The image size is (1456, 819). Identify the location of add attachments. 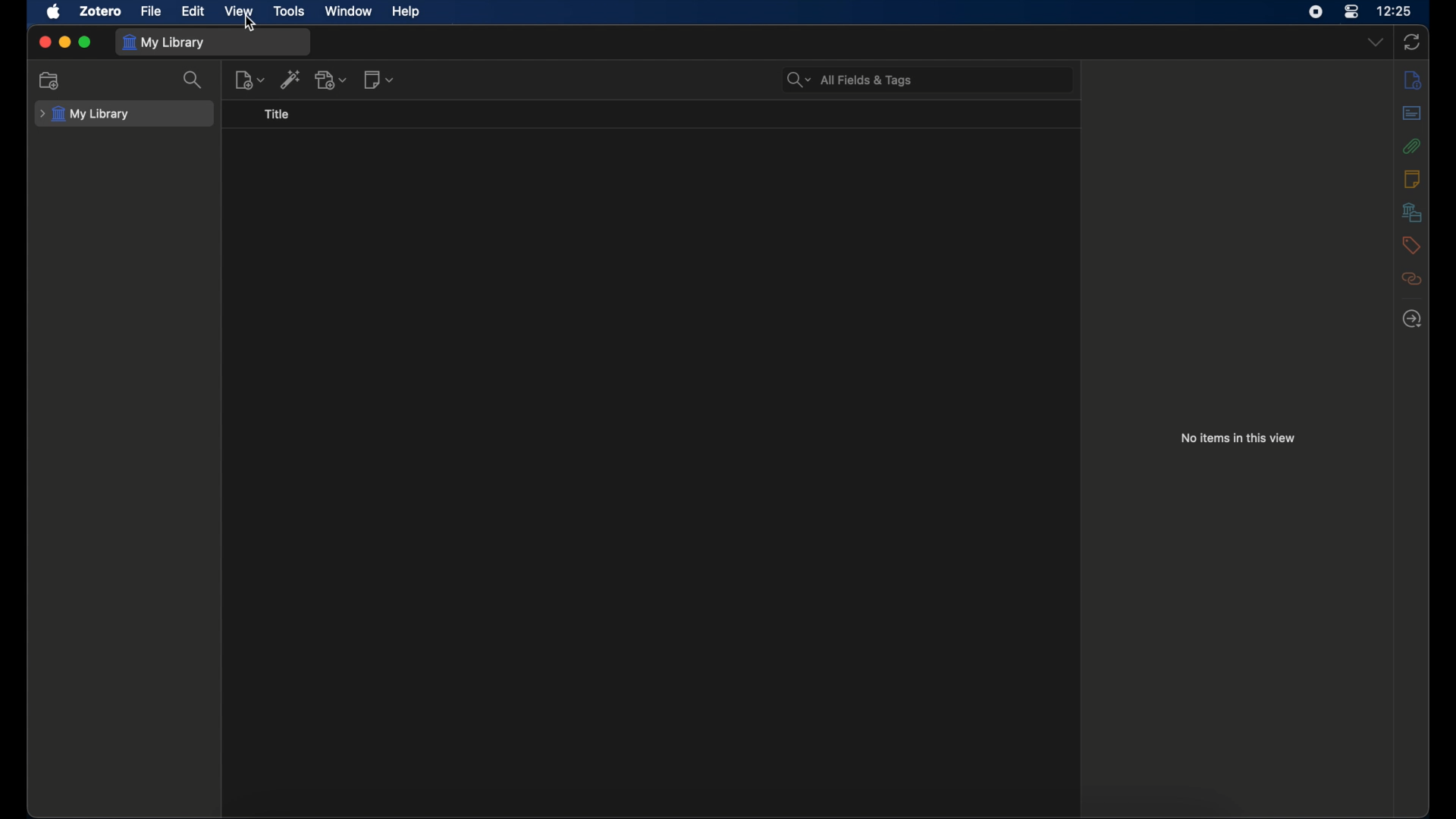
(332, 80).